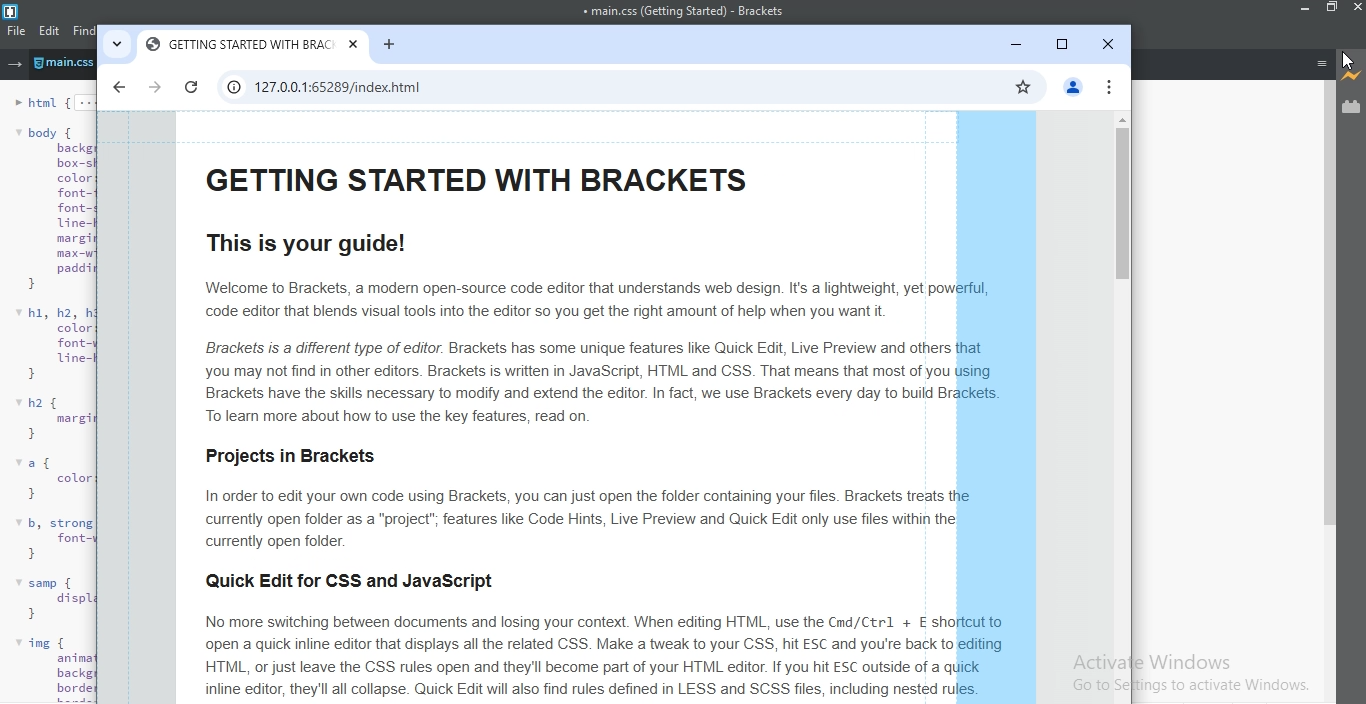 This screenshot has height=704, width=1366. I want to click on menu, so click(1320, 65).